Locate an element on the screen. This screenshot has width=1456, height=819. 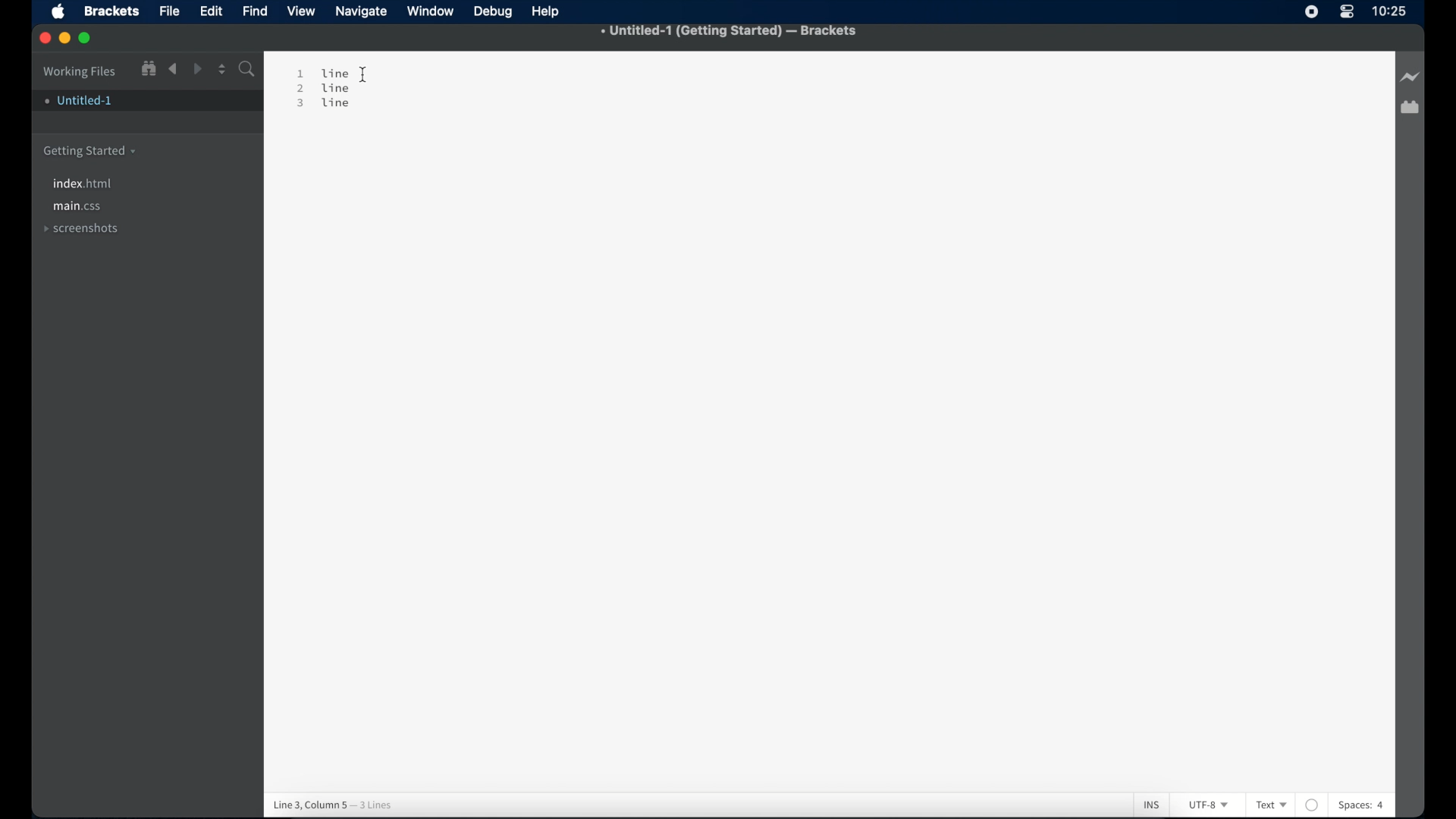
debug is located at coordinates (494, 12).